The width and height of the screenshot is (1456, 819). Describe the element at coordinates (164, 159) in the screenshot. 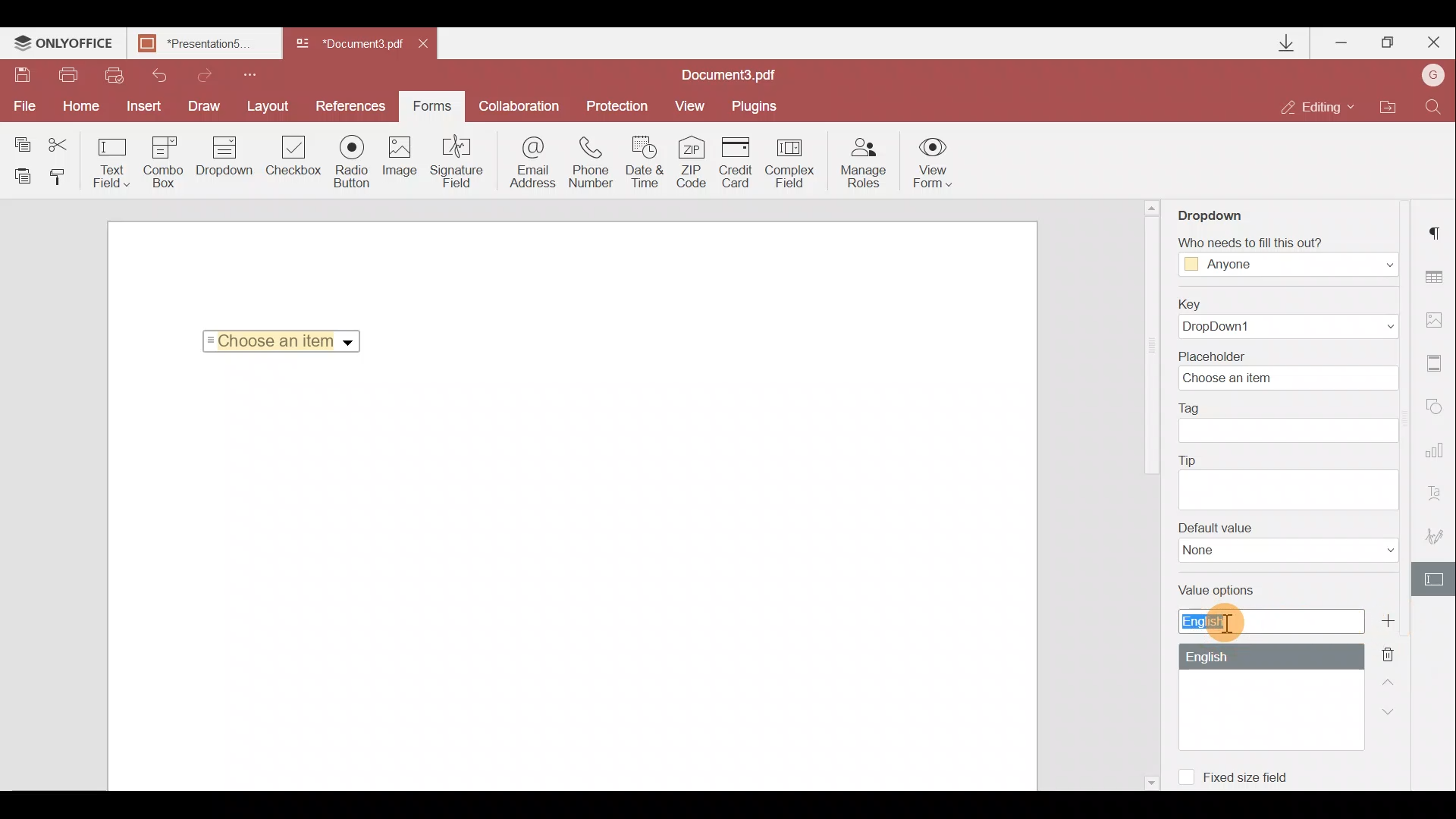

I see `Combo box` at that location.